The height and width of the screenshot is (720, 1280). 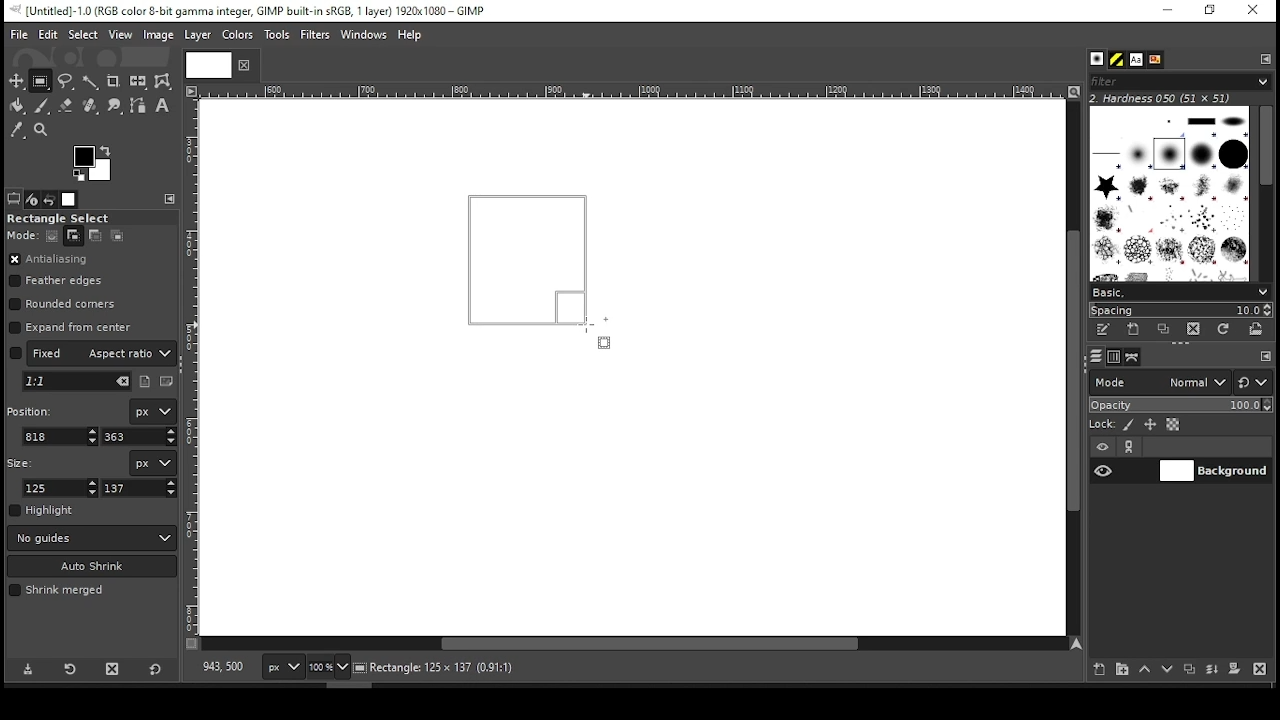 What do you see at coordinates (279, 36) in the screenshot?
I see `tools` at bounding box center [279, 36].